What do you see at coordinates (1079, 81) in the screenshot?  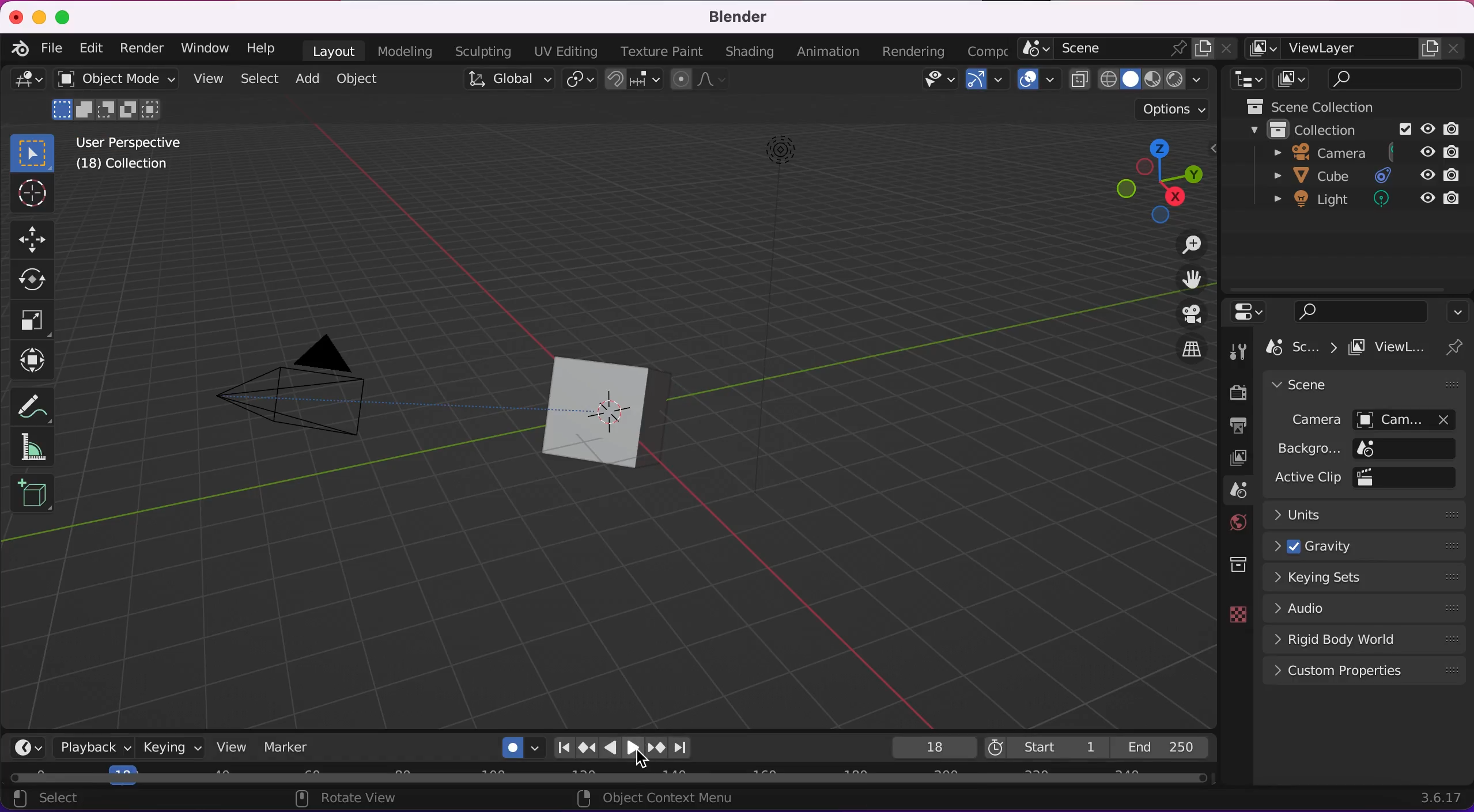 I see `toggle x ray` at bounding box center [1079, 81].